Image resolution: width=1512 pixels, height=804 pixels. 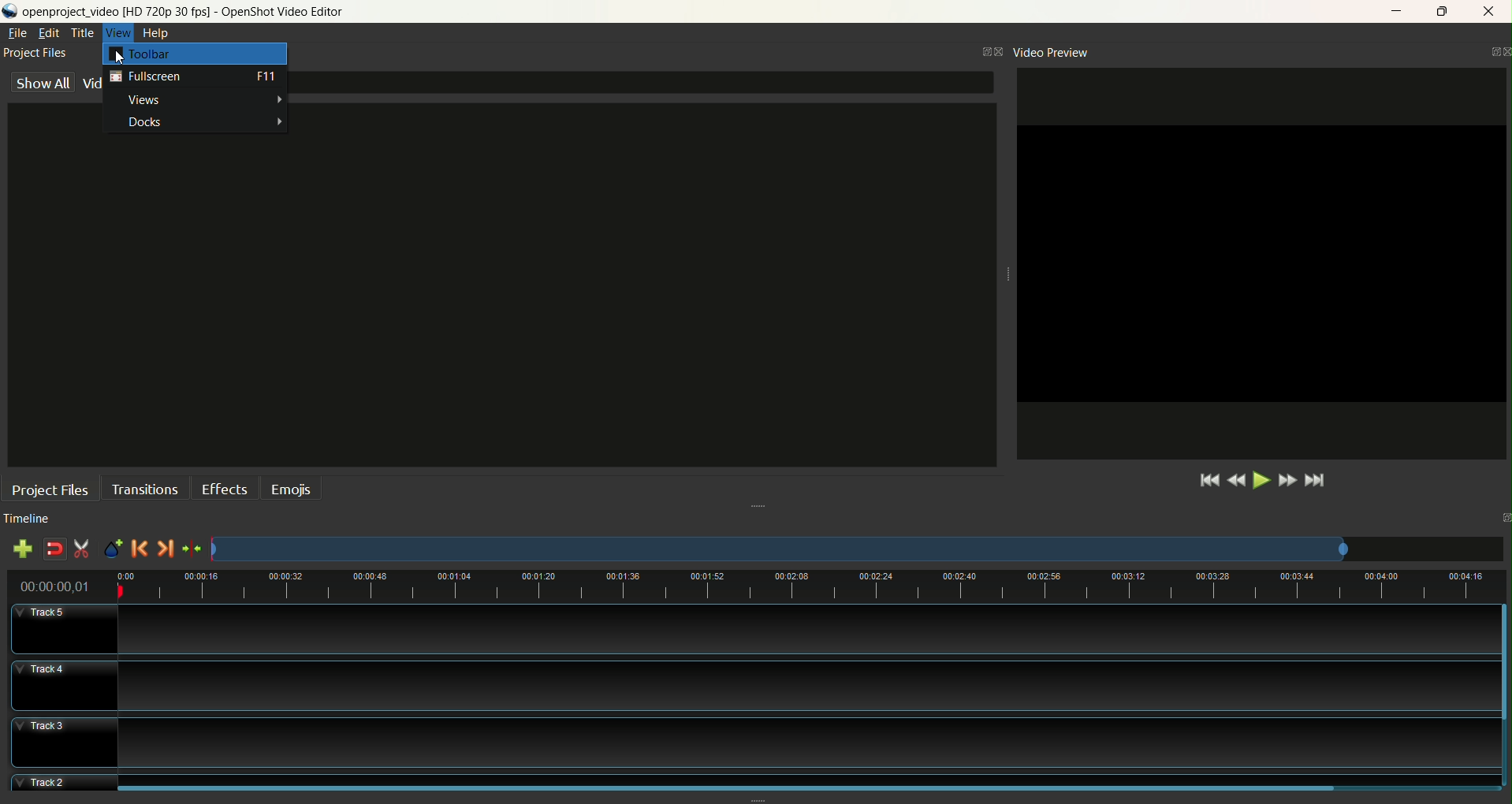 I want to click on next marker, so click(x=166, y=549).